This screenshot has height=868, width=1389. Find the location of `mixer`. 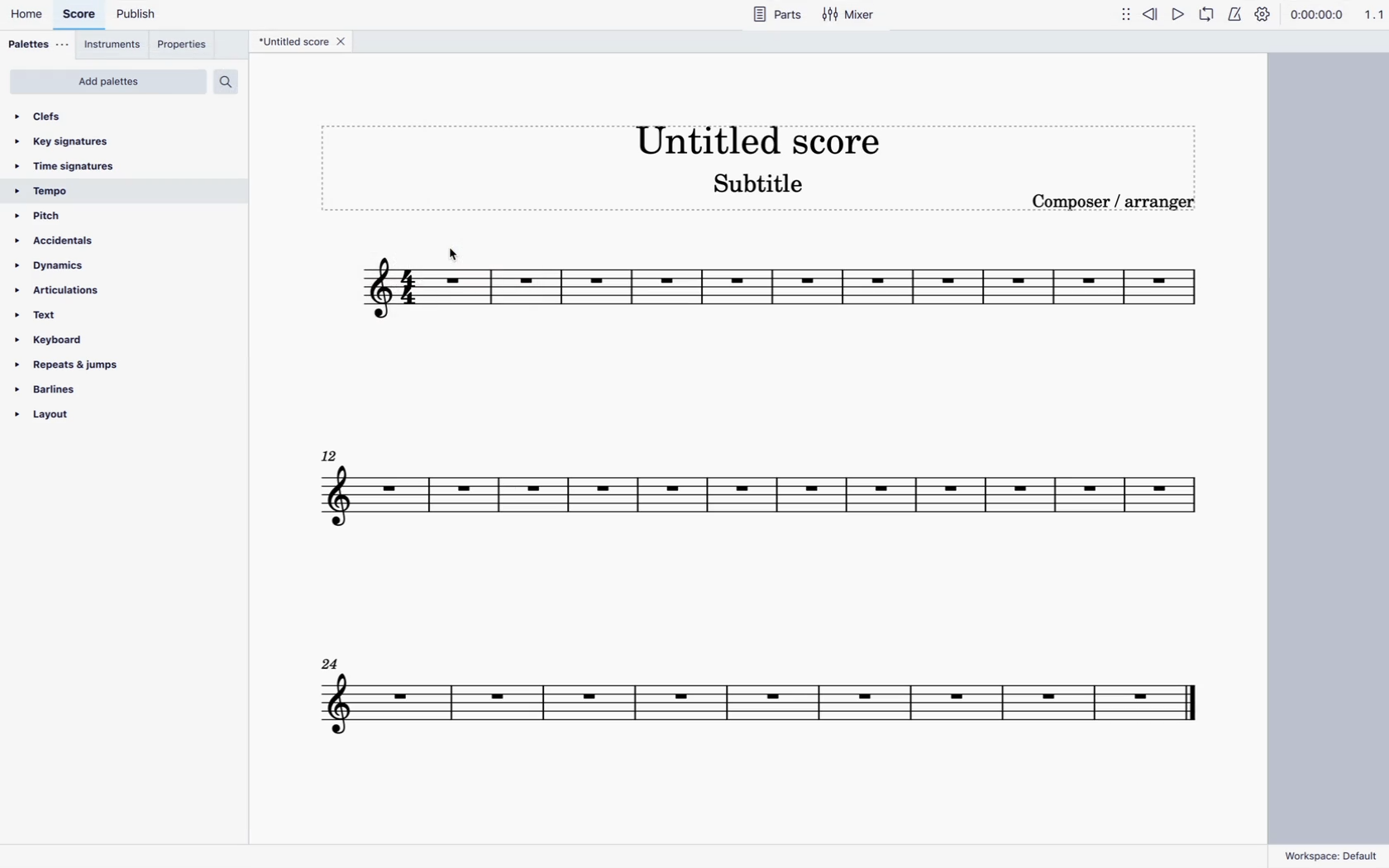

mixer is located at coordinates (852, 17).